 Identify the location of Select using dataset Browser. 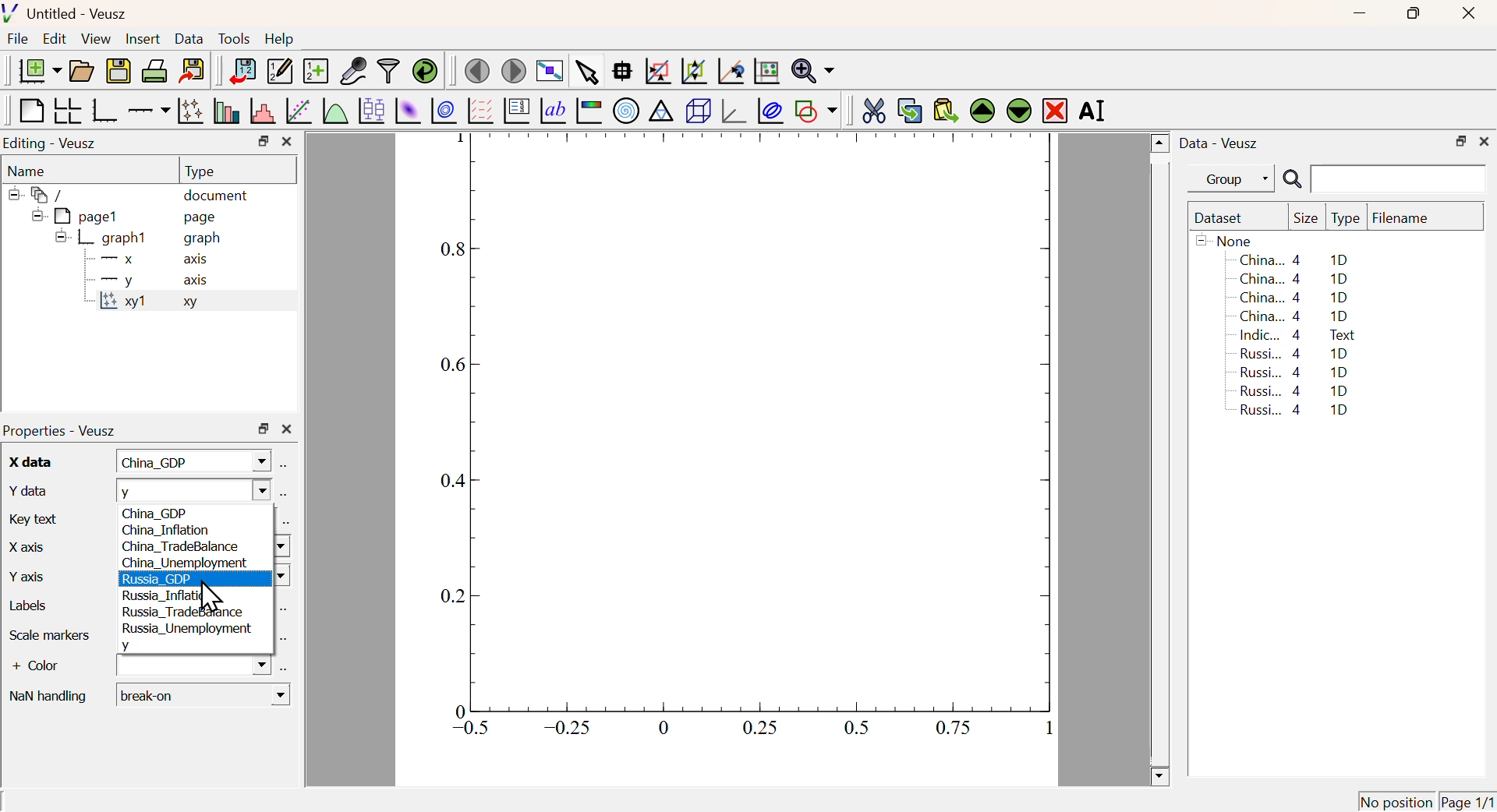
(285, 667).